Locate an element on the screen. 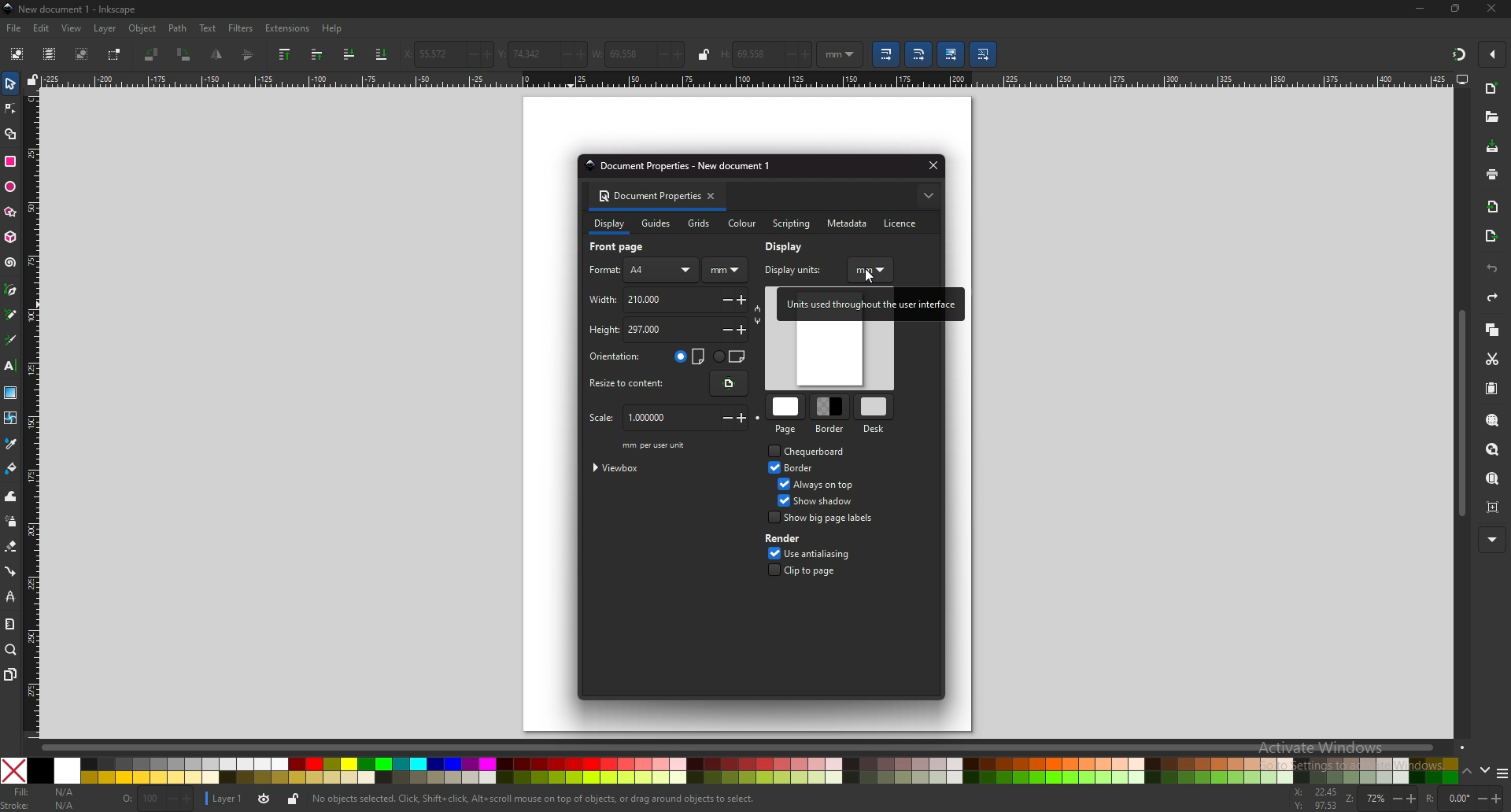 This screenshot has height=812, width=1511. display options is located at coordinates (1462, 79).